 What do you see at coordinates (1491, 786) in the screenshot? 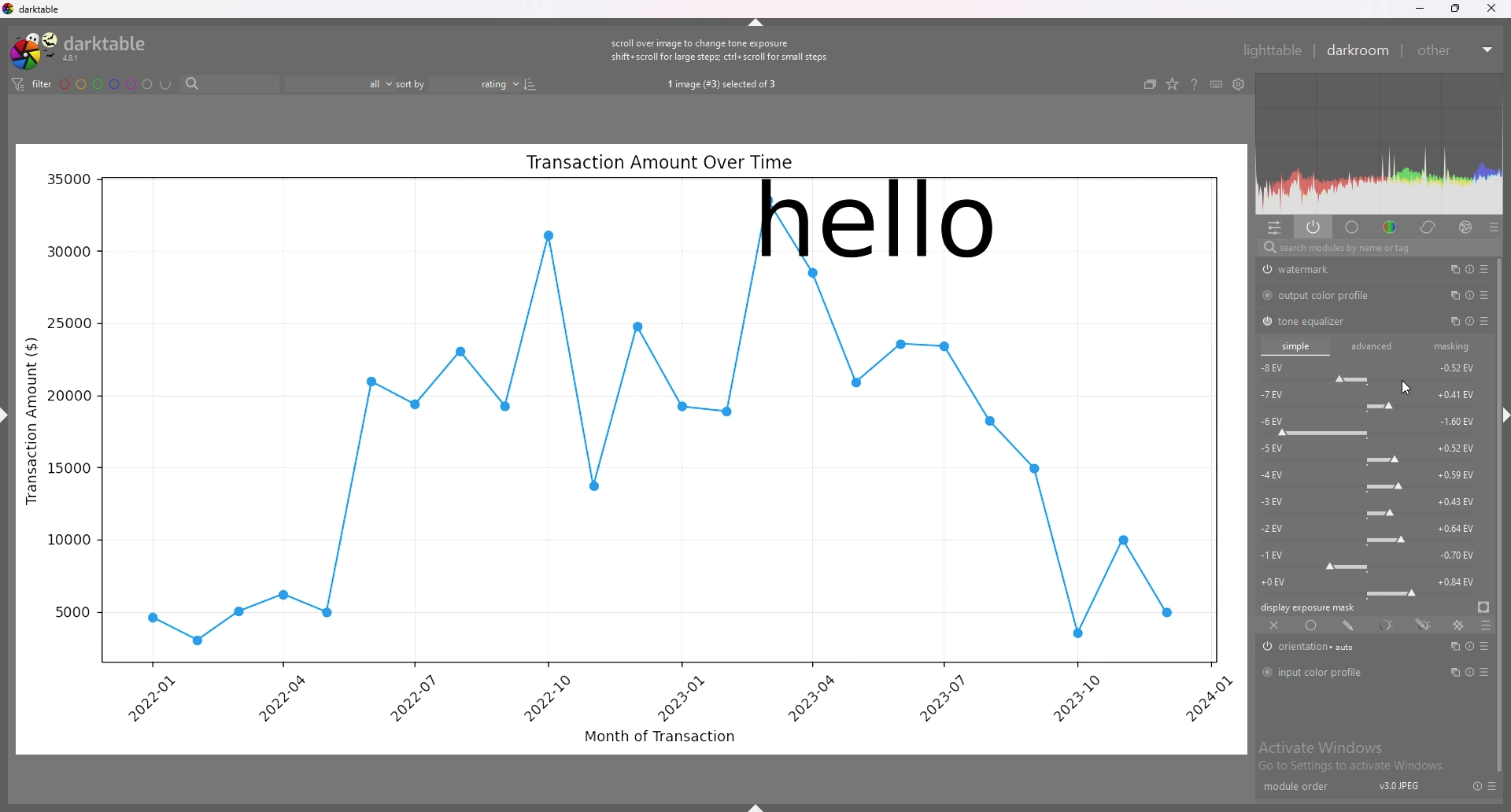
I see `presets` at bounding box center [1491, 786].